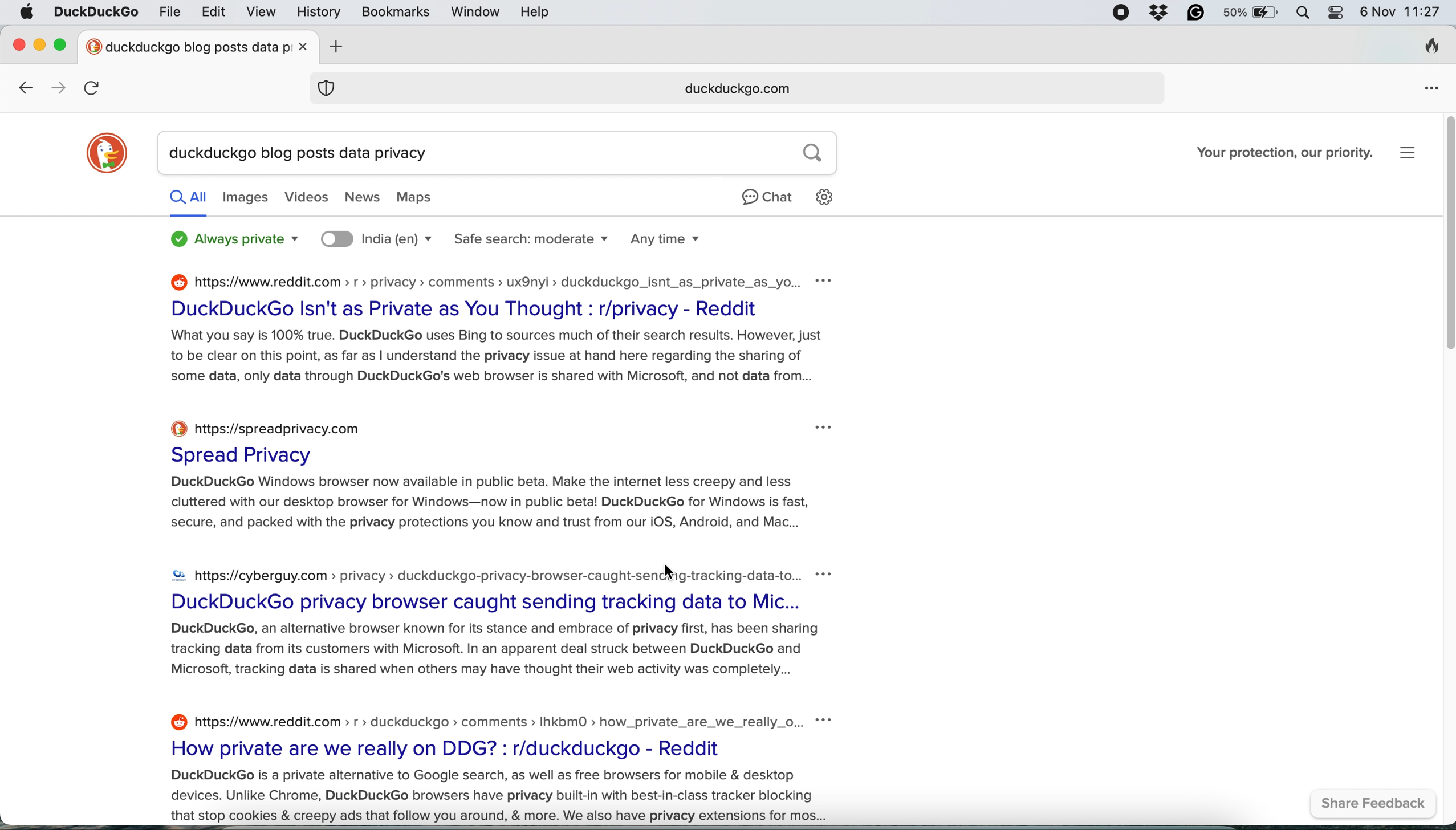  What do you see at coordinates (316, 12) in the screenshot?
I see `history` at bounding box center [316, 12].